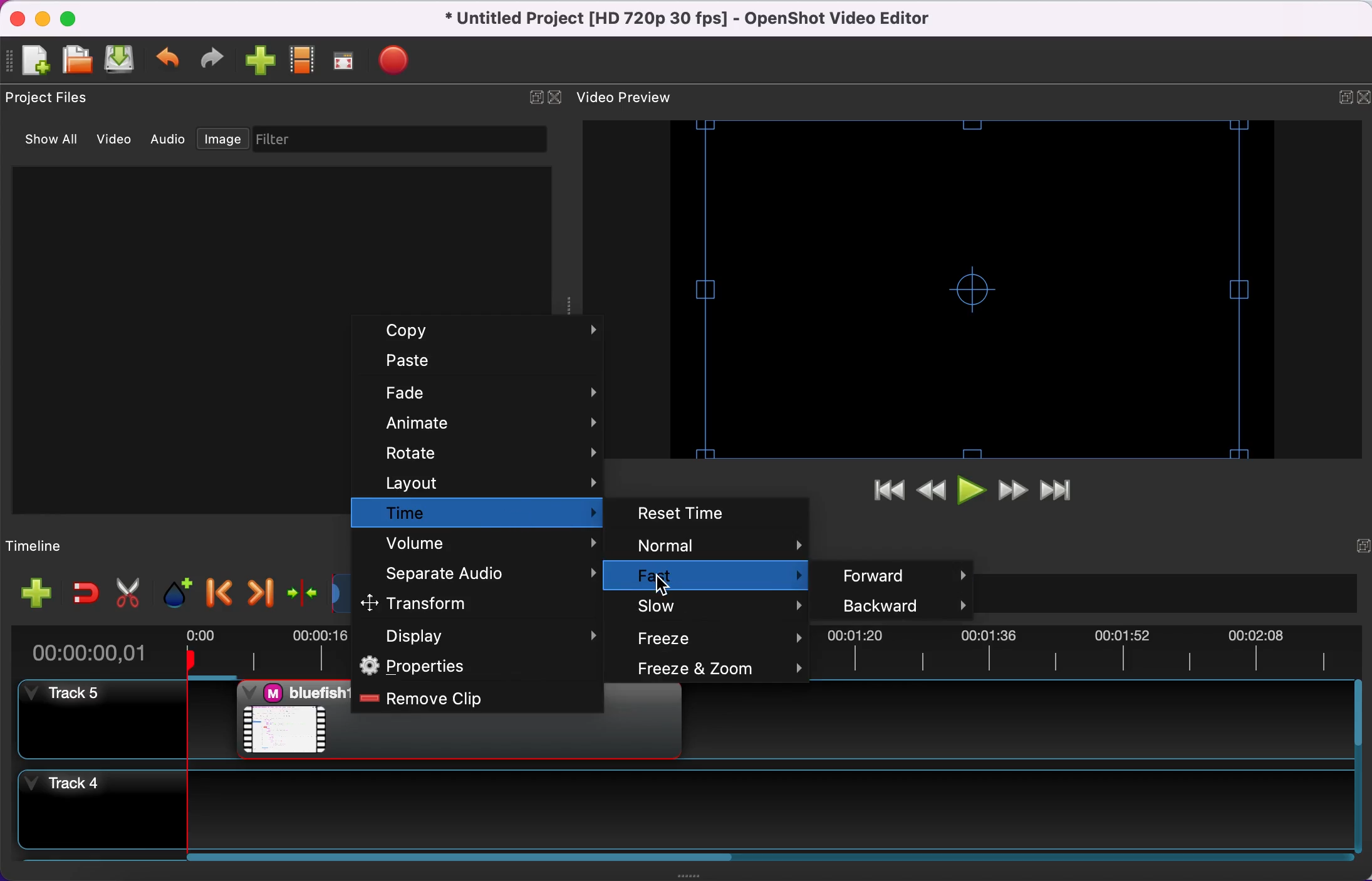 This screenshot has height=881, width=1372. Describe the element at coordinates (483, 363) in the screenshot. I see `paste` at that location.